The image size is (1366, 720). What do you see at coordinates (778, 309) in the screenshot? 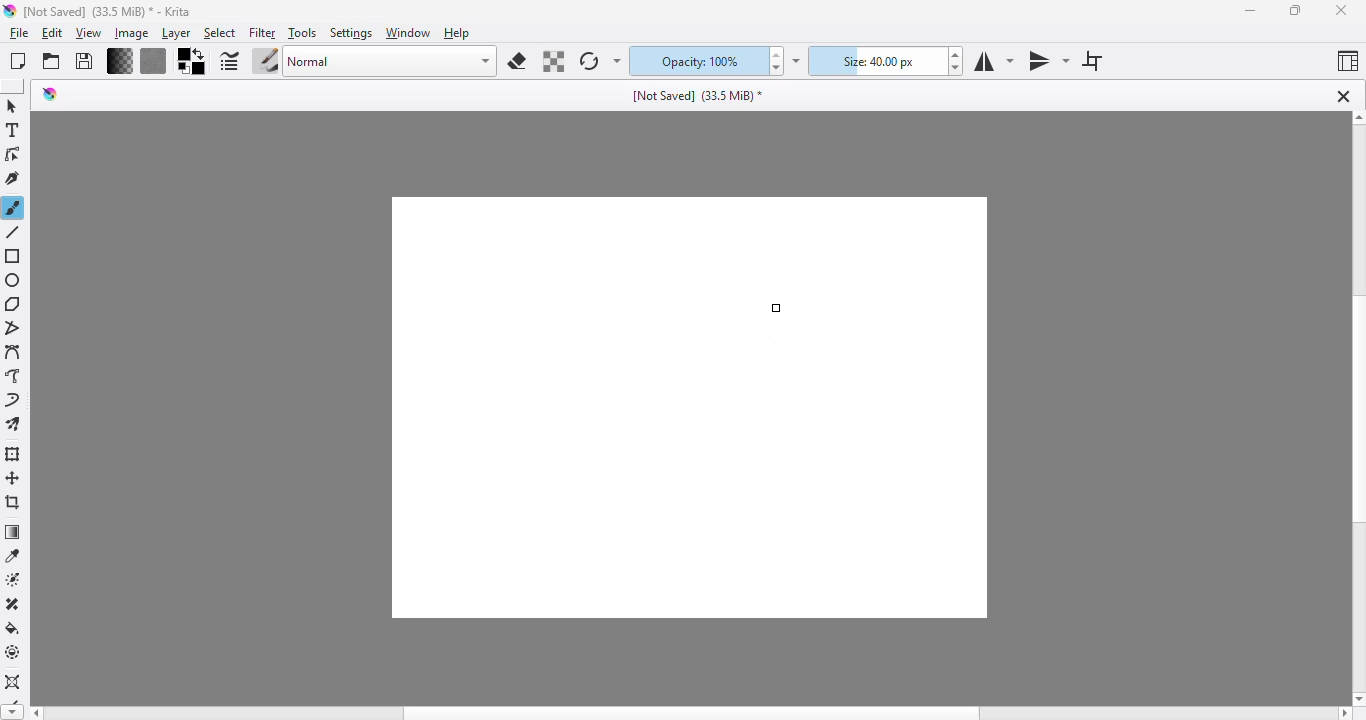
I see `cursor` at bounding box center [778, 309].